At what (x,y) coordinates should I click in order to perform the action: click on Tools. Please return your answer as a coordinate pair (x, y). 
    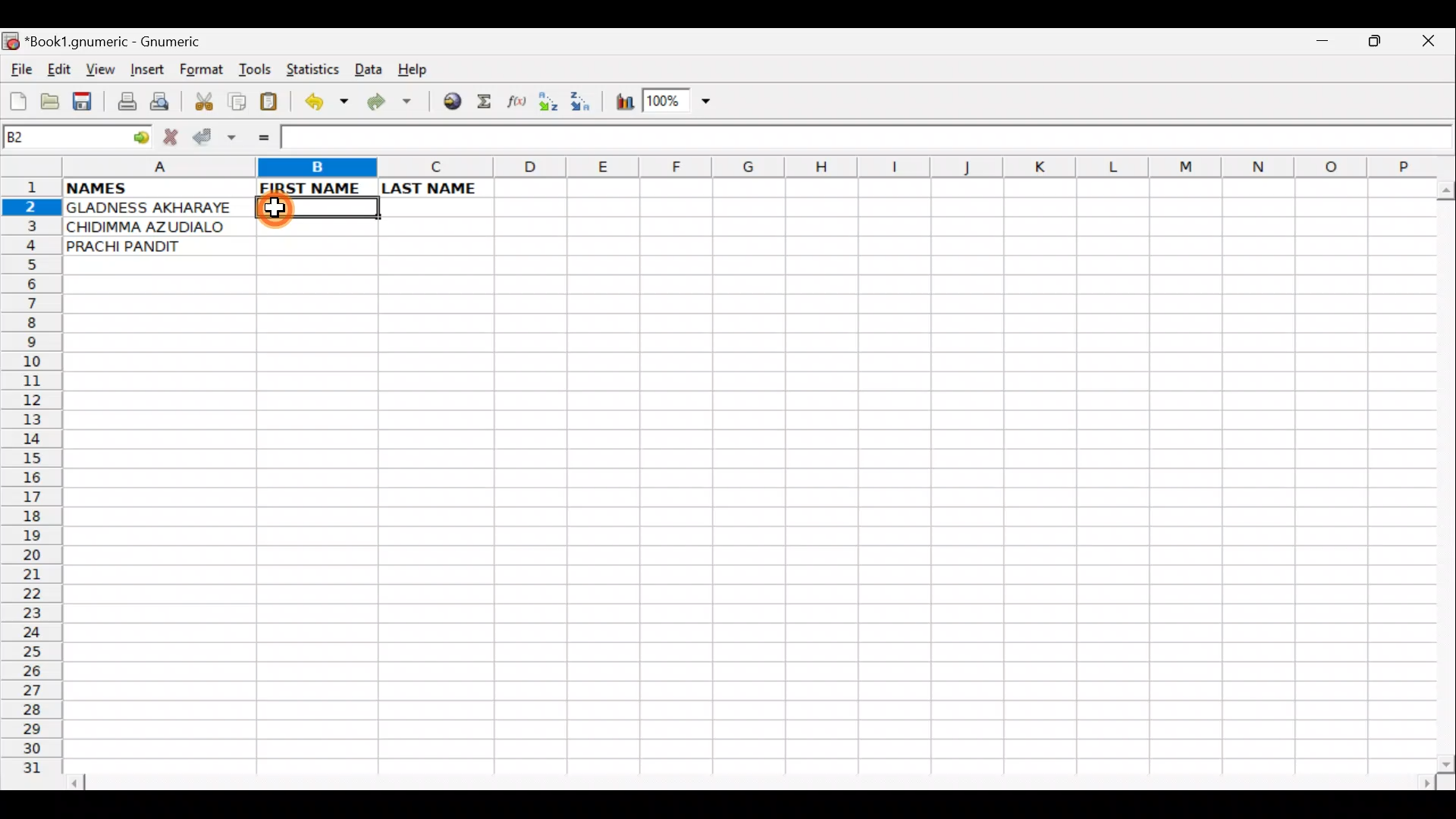
    Looking at the image, I should click on (256, 70).